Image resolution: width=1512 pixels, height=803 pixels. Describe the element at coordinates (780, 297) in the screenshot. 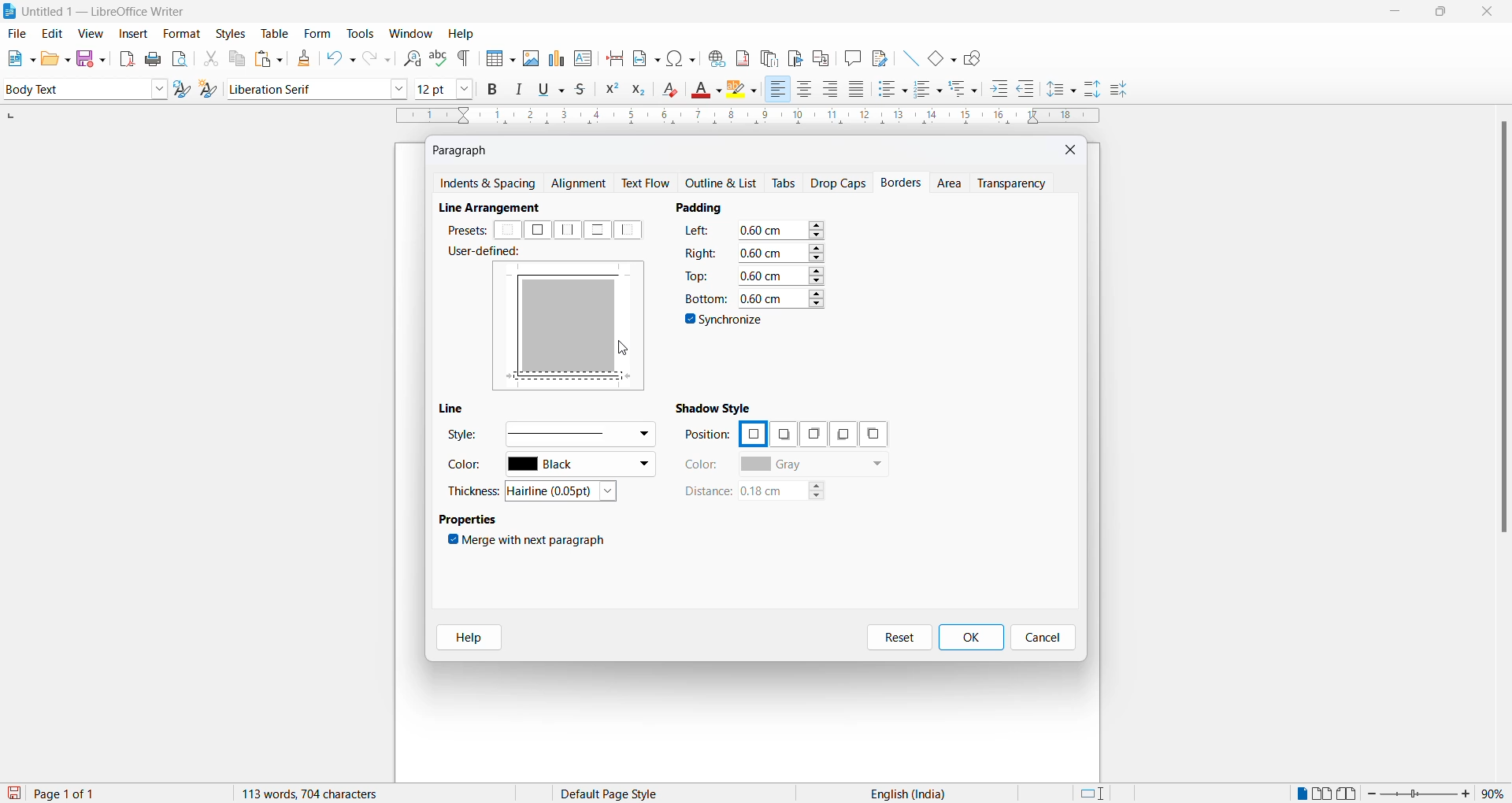

I see `value` at that location.